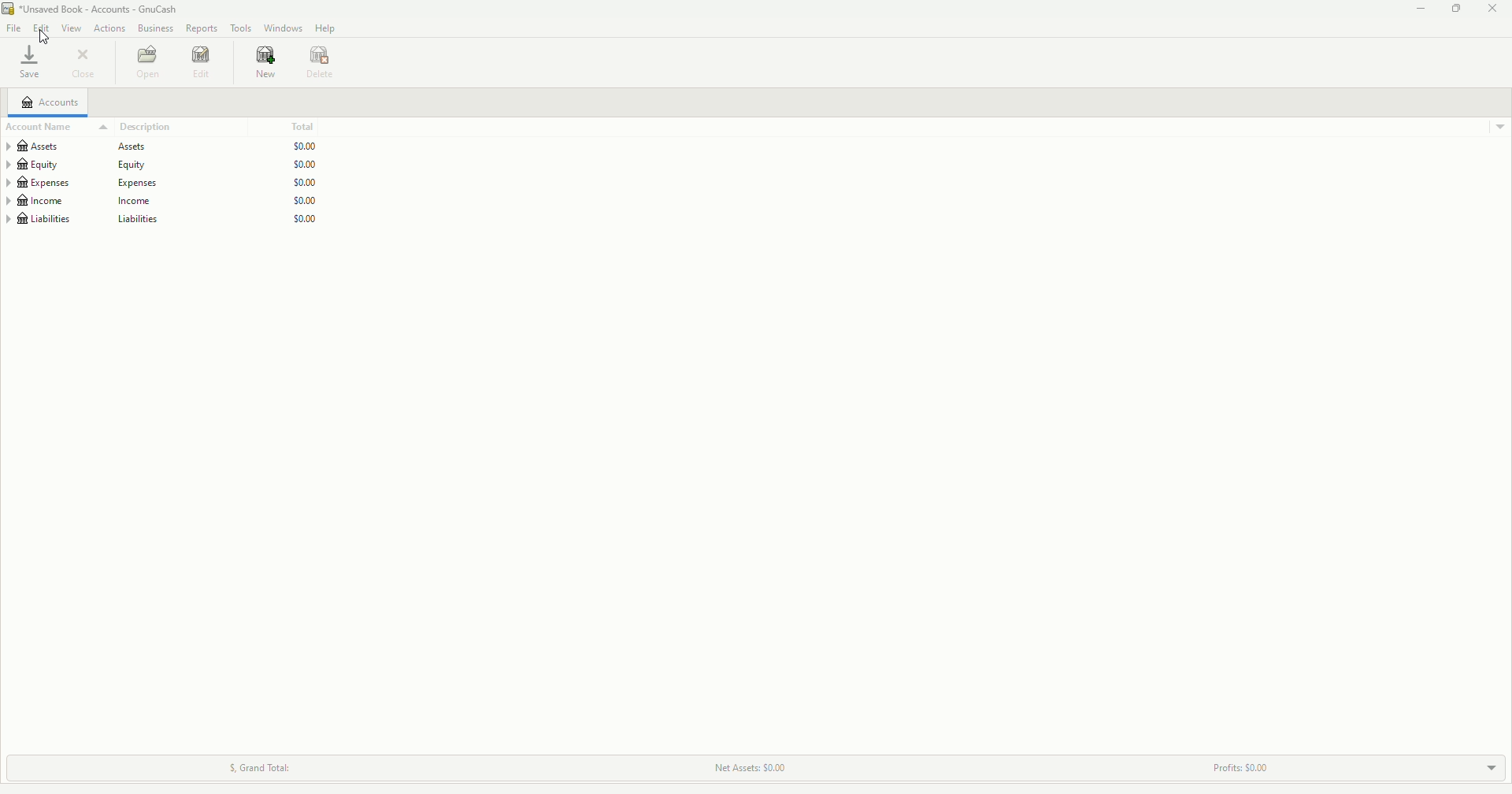  I want to click on Save, so click(28, 65).